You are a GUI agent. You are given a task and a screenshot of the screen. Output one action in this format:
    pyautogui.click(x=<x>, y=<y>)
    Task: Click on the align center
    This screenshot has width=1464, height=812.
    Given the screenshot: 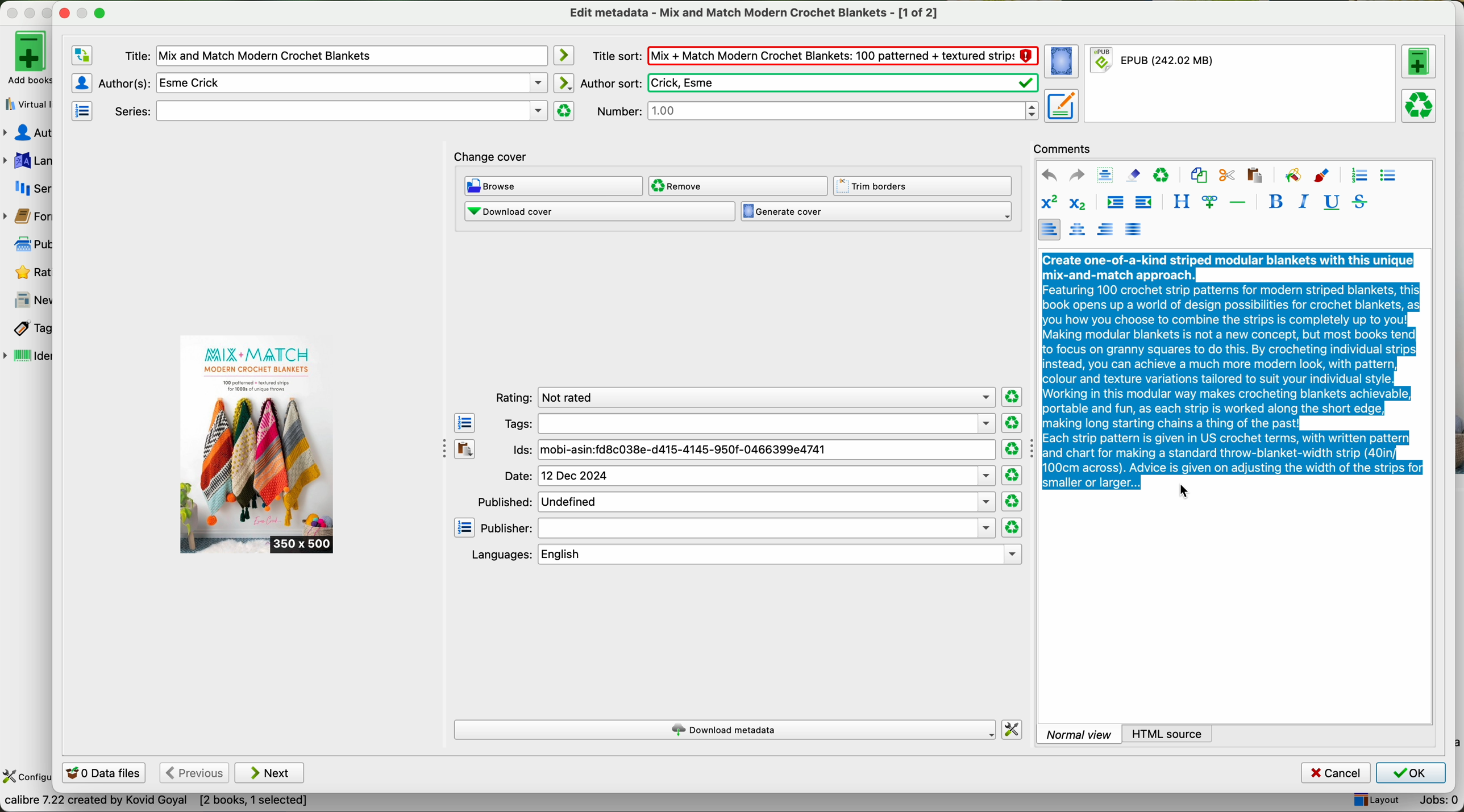 What is the action you would take?
    pyautogui.click(x=1079, y=230)
    